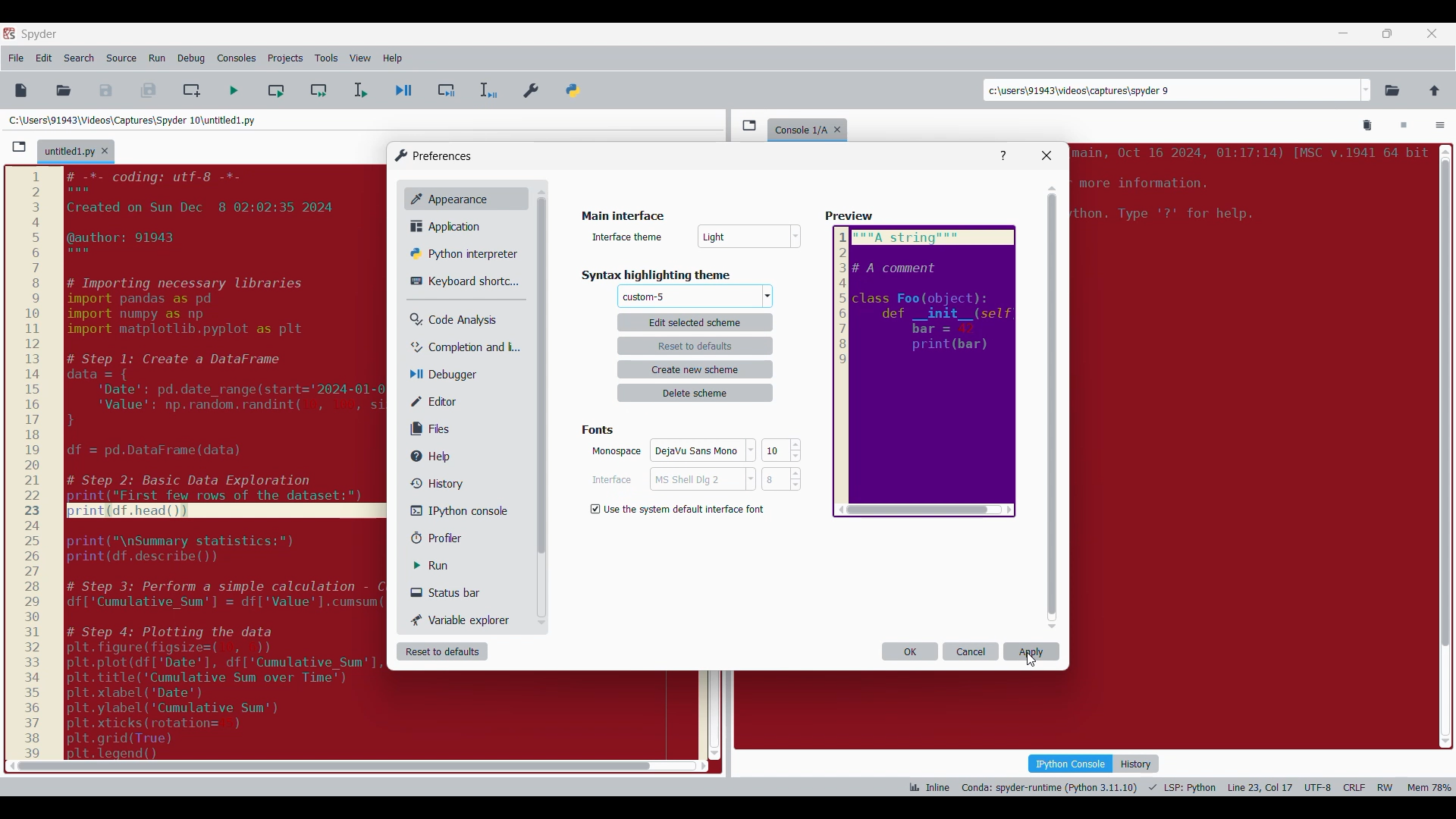  What do you see at coordinates (924, 372) in the screenshot?
I see `Preview reflecting new custom theme` at bounding box center [924, 372].